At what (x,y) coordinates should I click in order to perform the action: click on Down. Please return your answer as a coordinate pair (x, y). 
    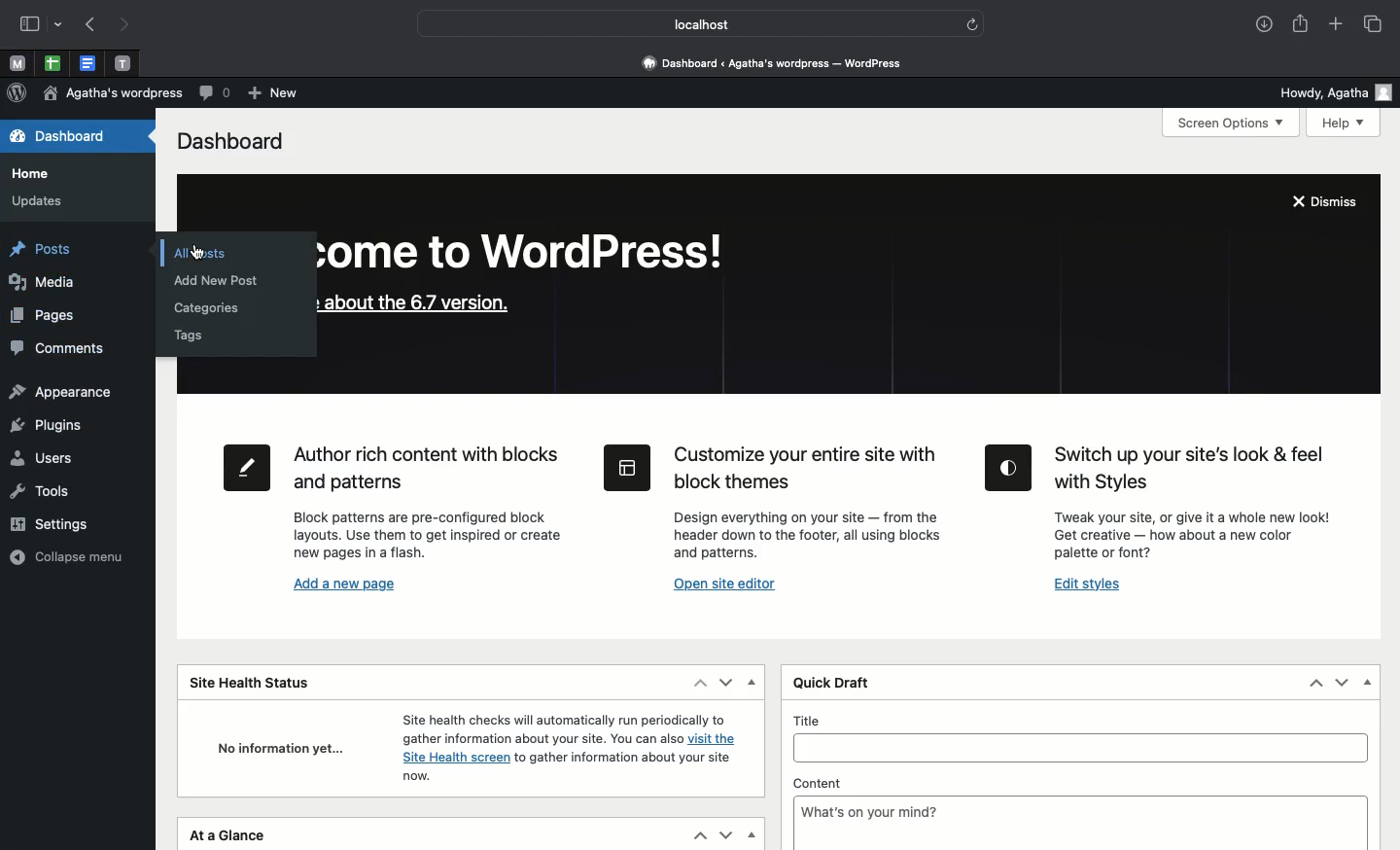
    Looking at the image, I should click on (725, 833).